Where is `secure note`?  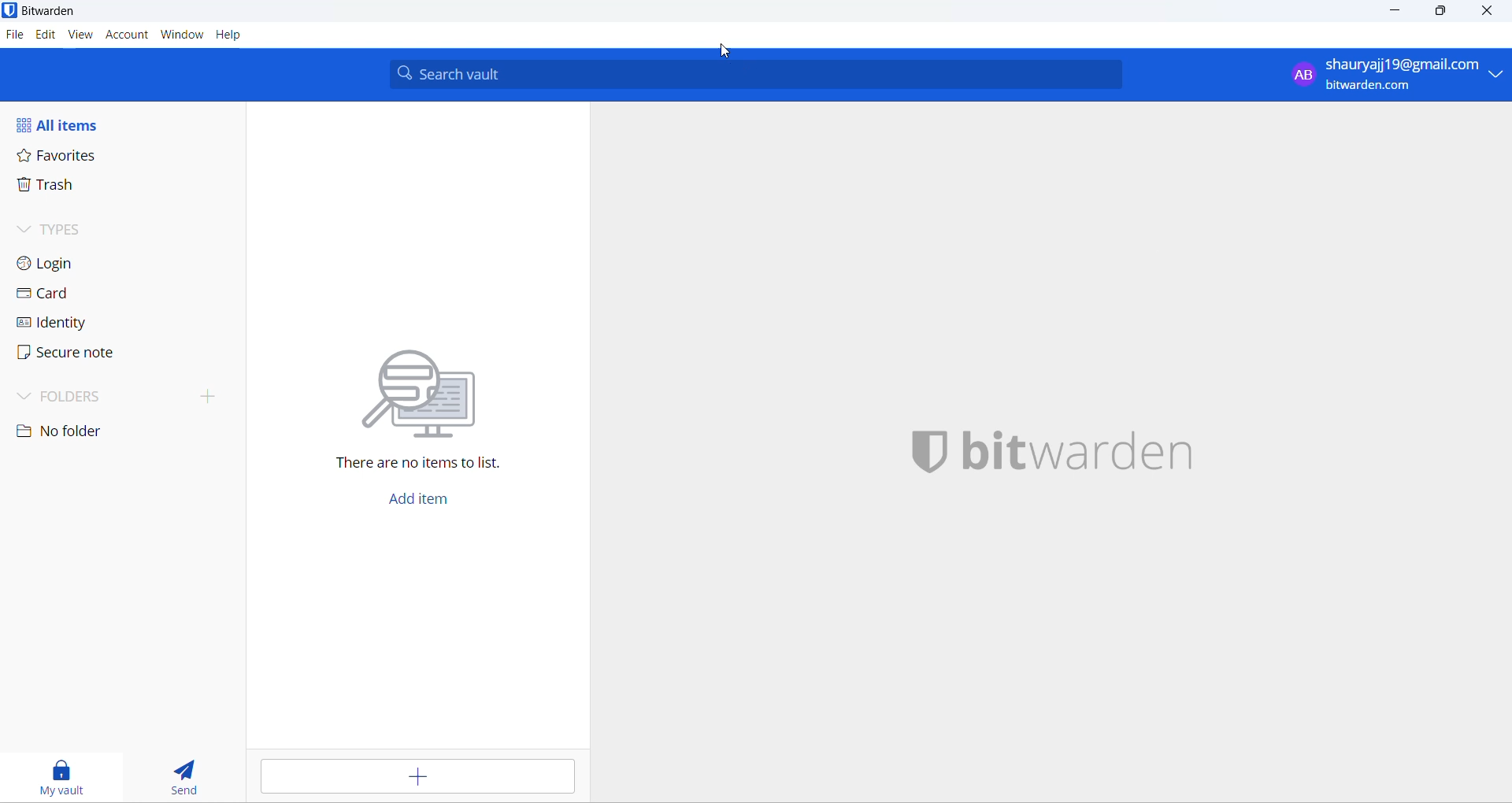 secure note is located at coordinates (69, 354).